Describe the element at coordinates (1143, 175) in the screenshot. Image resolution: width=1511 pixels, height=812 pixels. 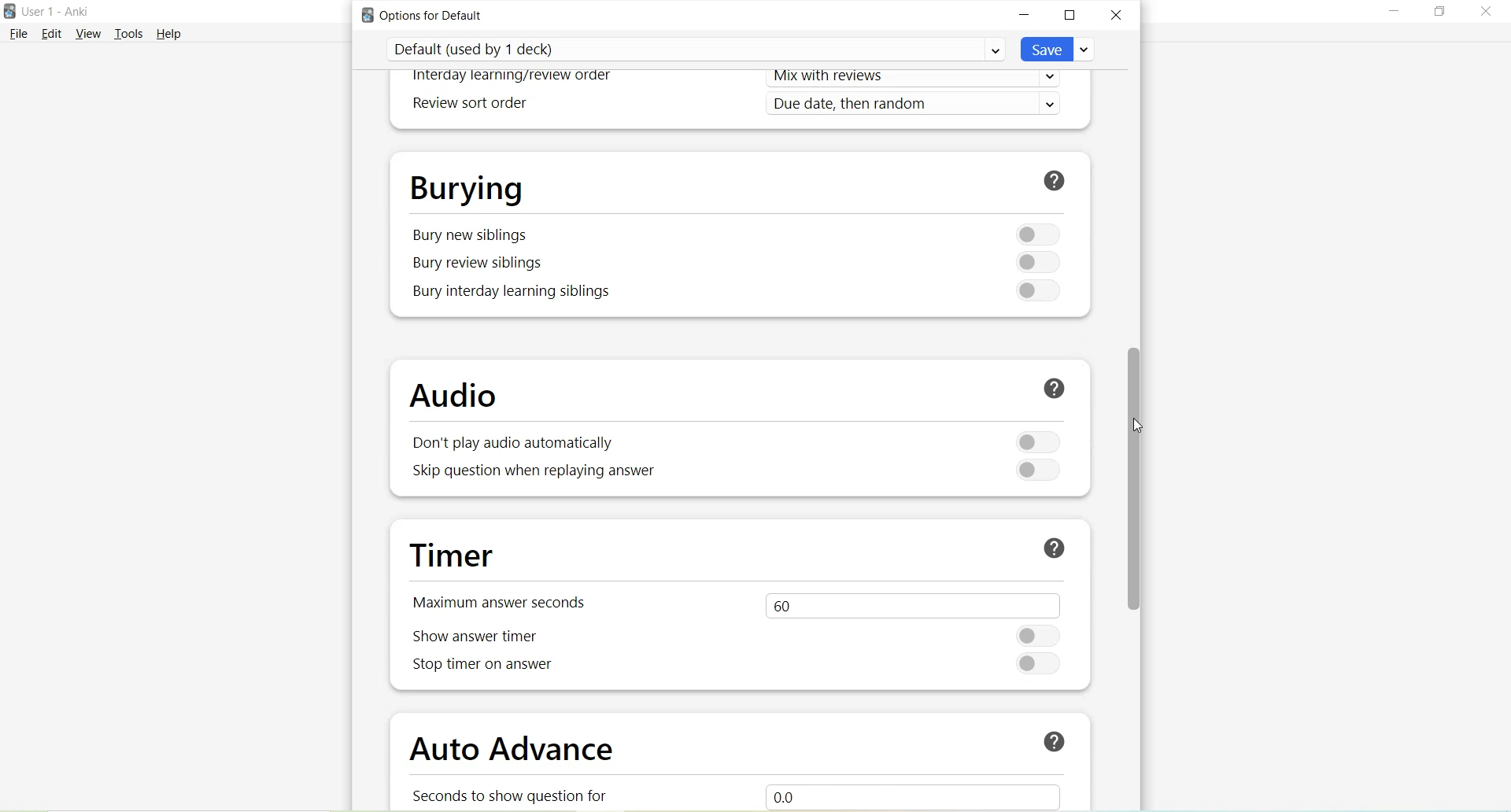
I see `Scroll` at that location.